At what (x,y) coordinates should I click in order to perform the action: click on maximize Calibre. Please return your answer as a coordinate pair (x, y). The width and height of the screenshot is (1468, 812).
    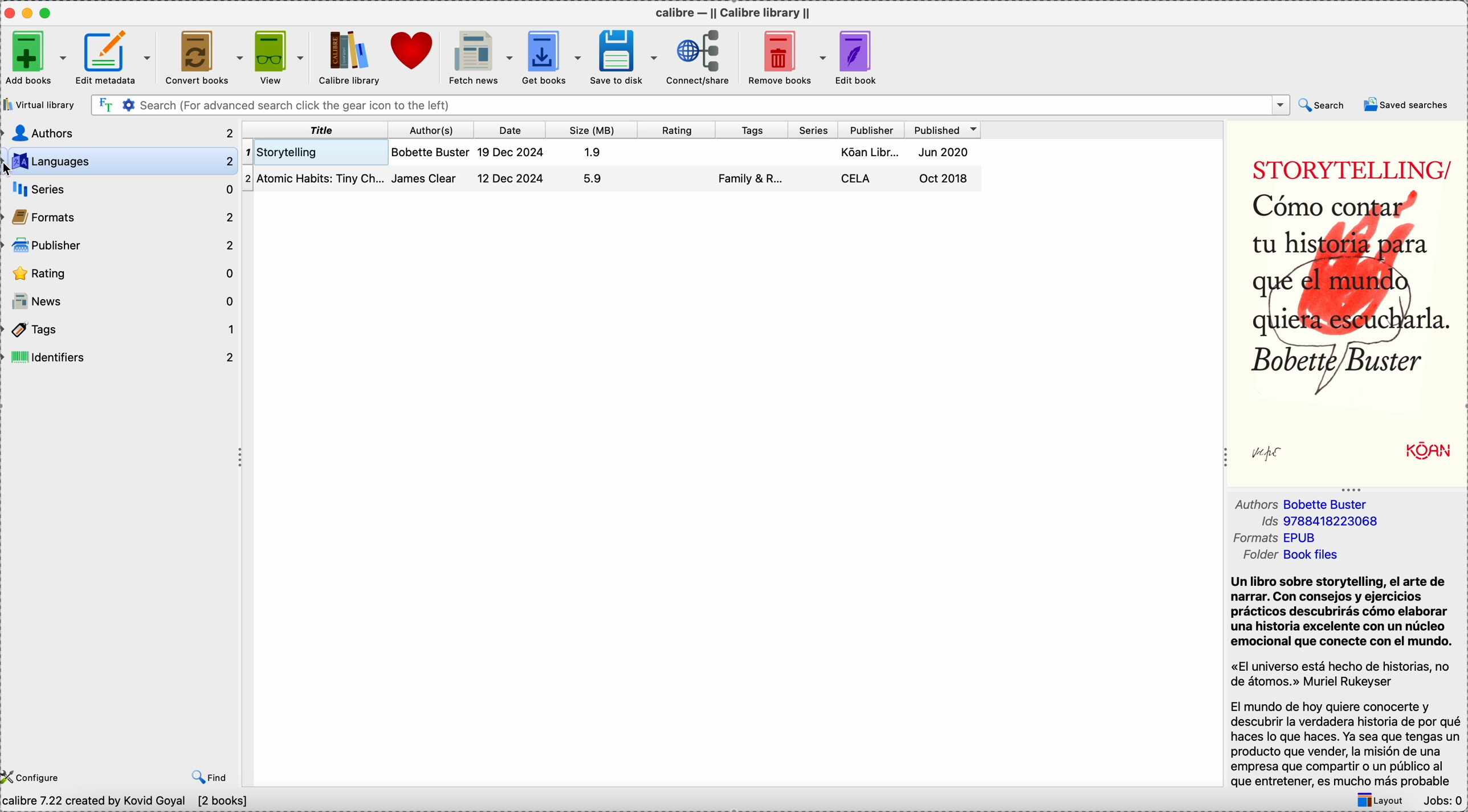
    Looking at the image, I should click on (48, 13).